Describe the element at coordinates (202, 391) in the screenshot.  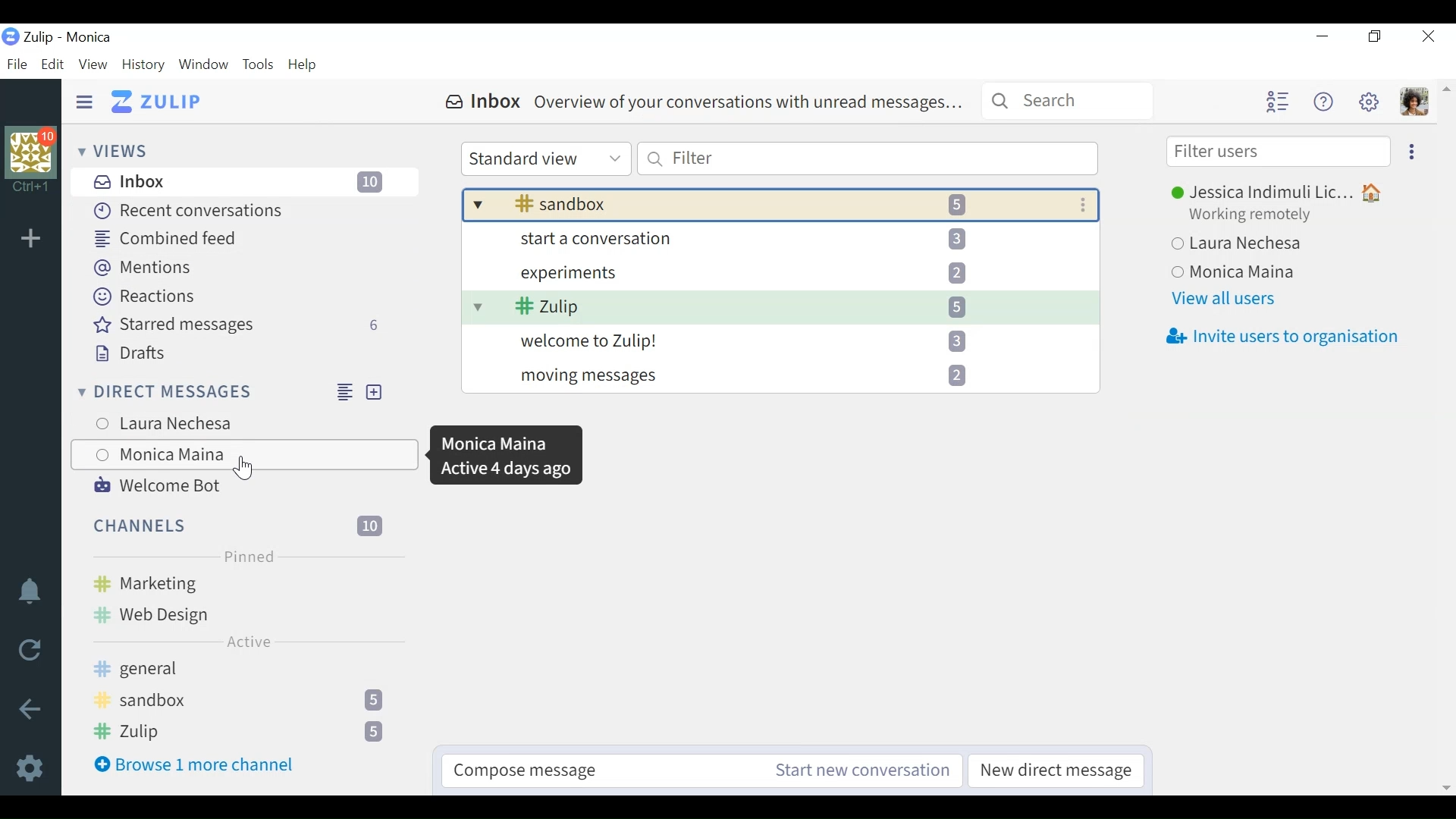
I see `Direct messages` at that location.